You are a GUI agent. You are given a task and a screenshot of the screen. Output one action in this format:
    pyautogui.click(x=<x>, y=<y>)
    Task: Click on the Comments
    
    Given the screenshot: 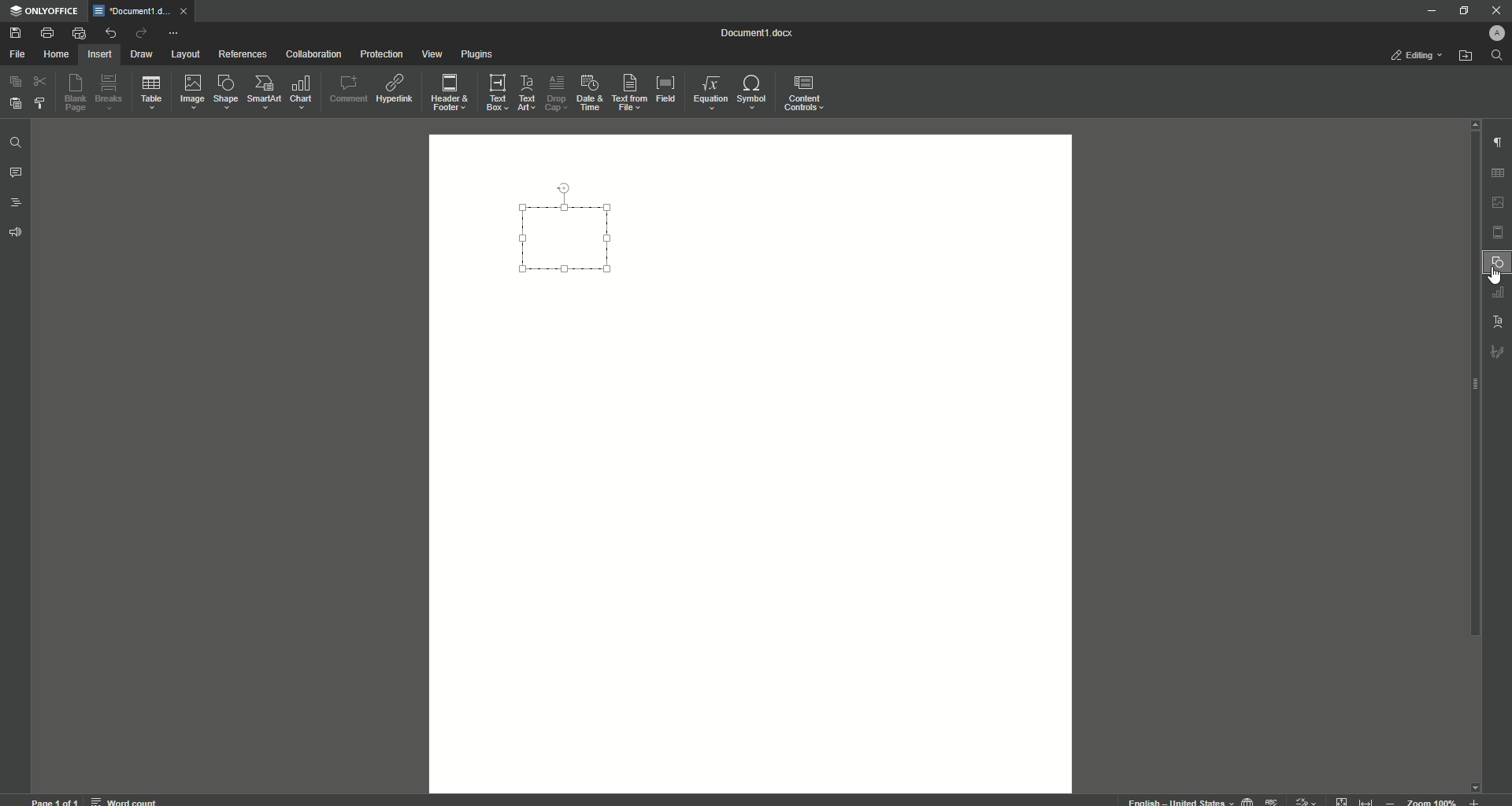 What is the action you would take?
    pyautogui.click(x=16, y=173)
    